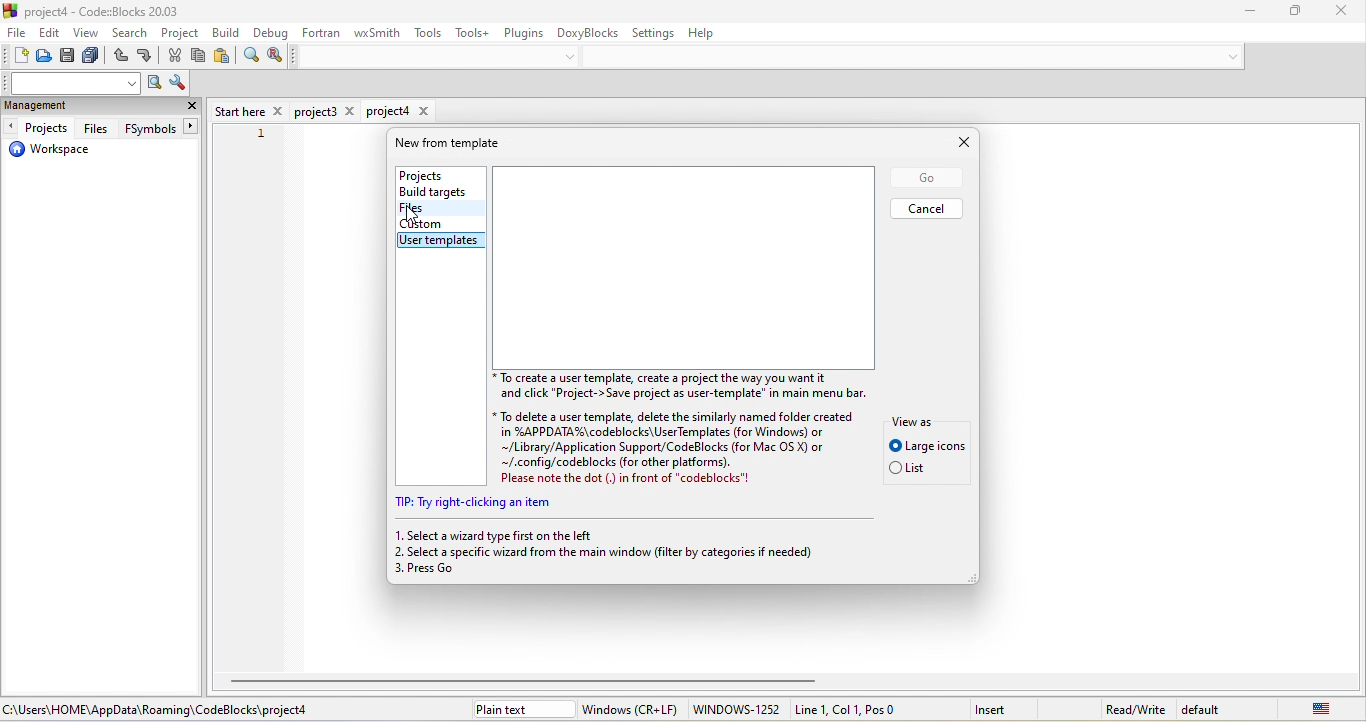  Describe the element at coordinates (39, 128) in the screenshot. I see `projects` at that location.